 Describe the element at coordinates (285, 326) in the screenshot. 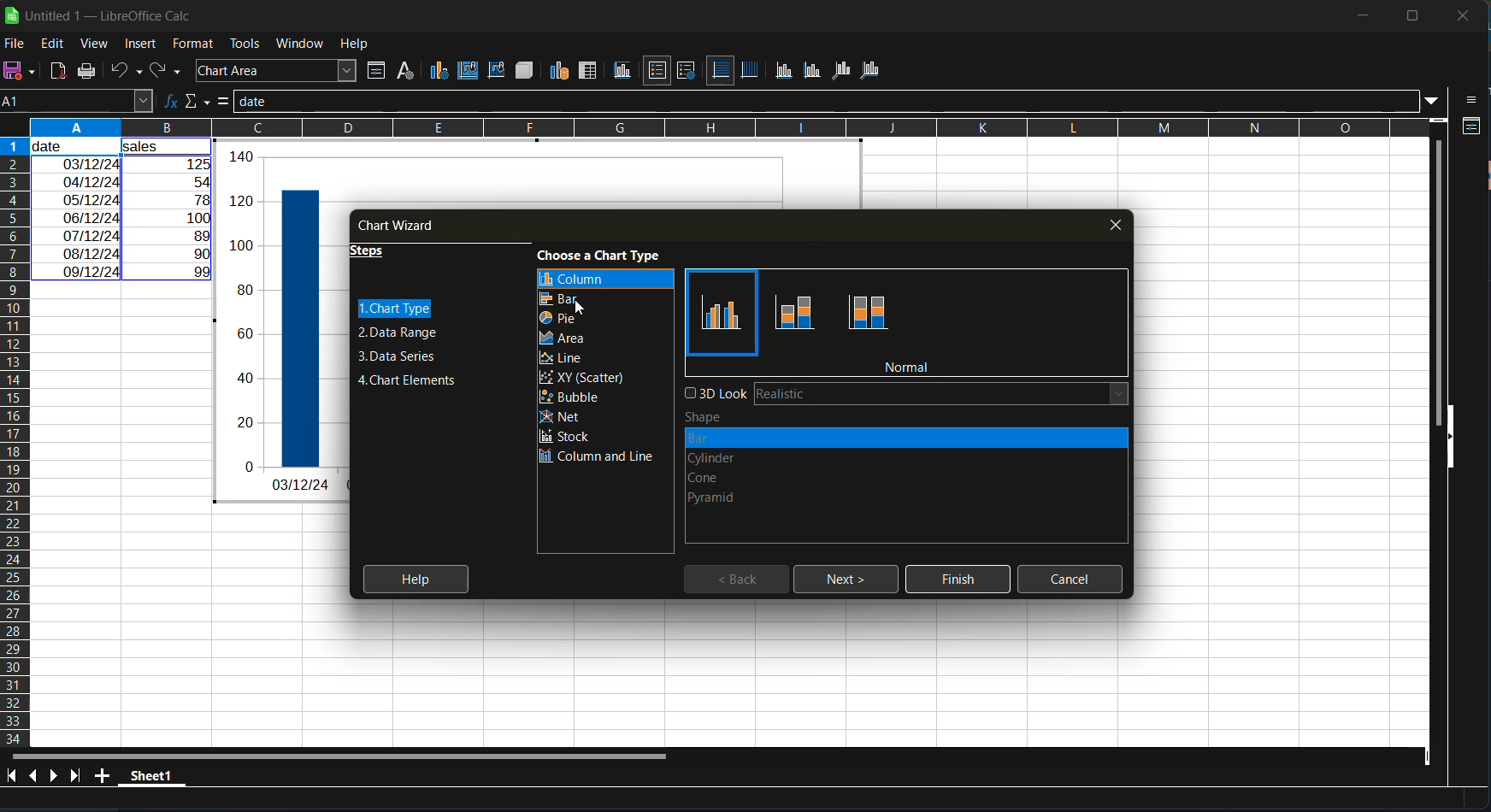

I see `generated graph` at that location.